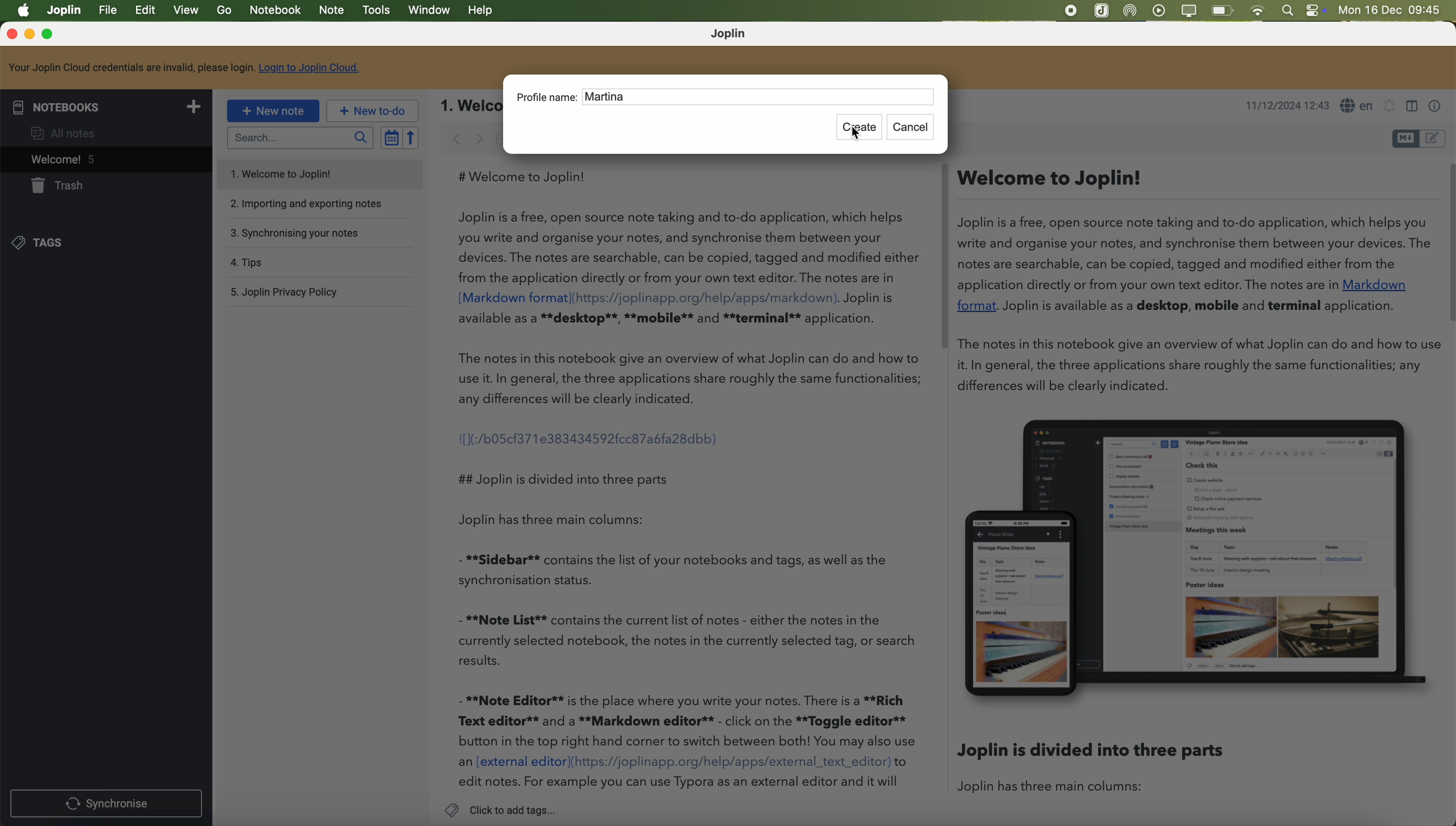 Image resolution: width=1456 pixels, height=826 pixels. What do you see at coordinates (513, 298) in the screenshot?
I see `[Markdown format]` at bounding box center [513, 298].